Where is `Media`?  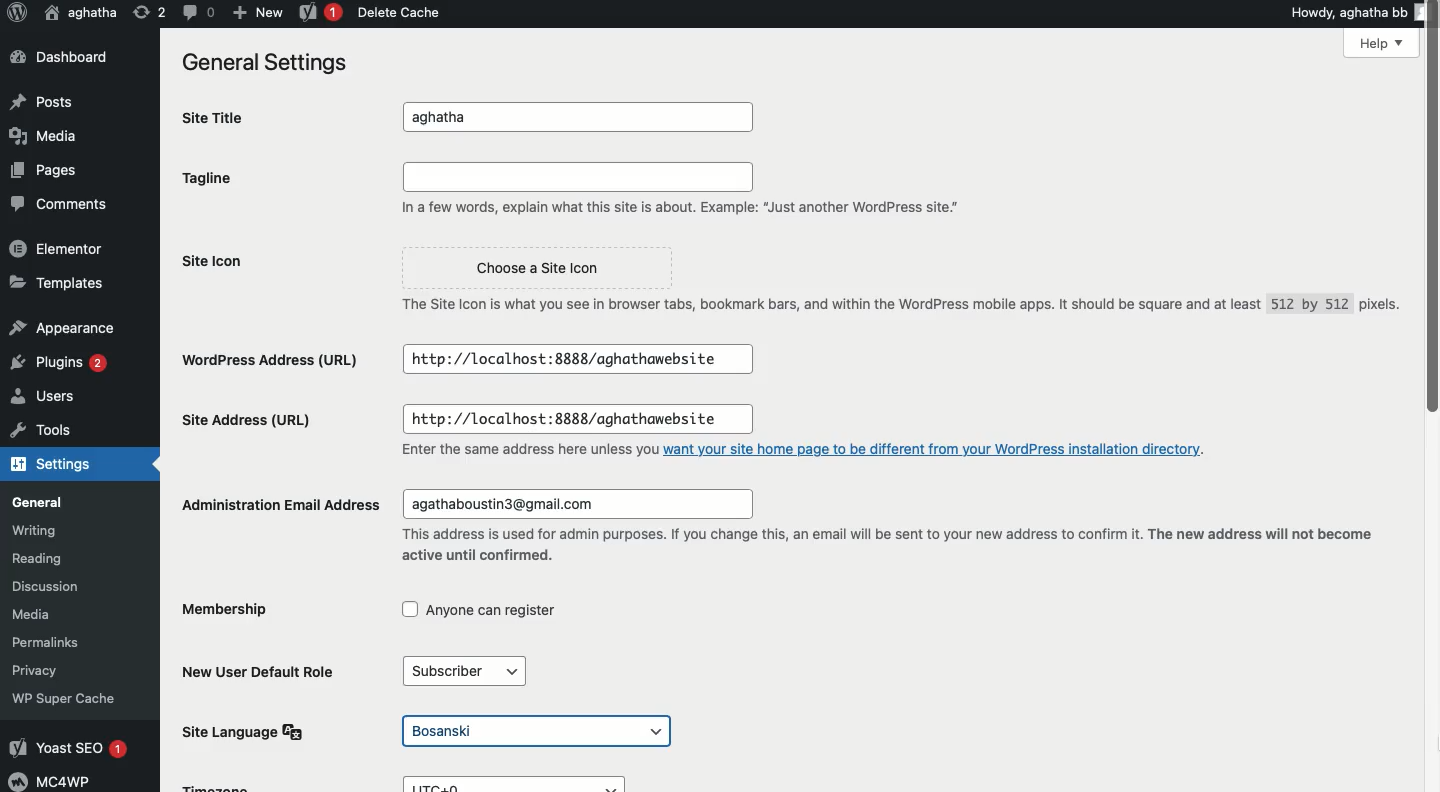 Media is located at coordinates (45, 137).